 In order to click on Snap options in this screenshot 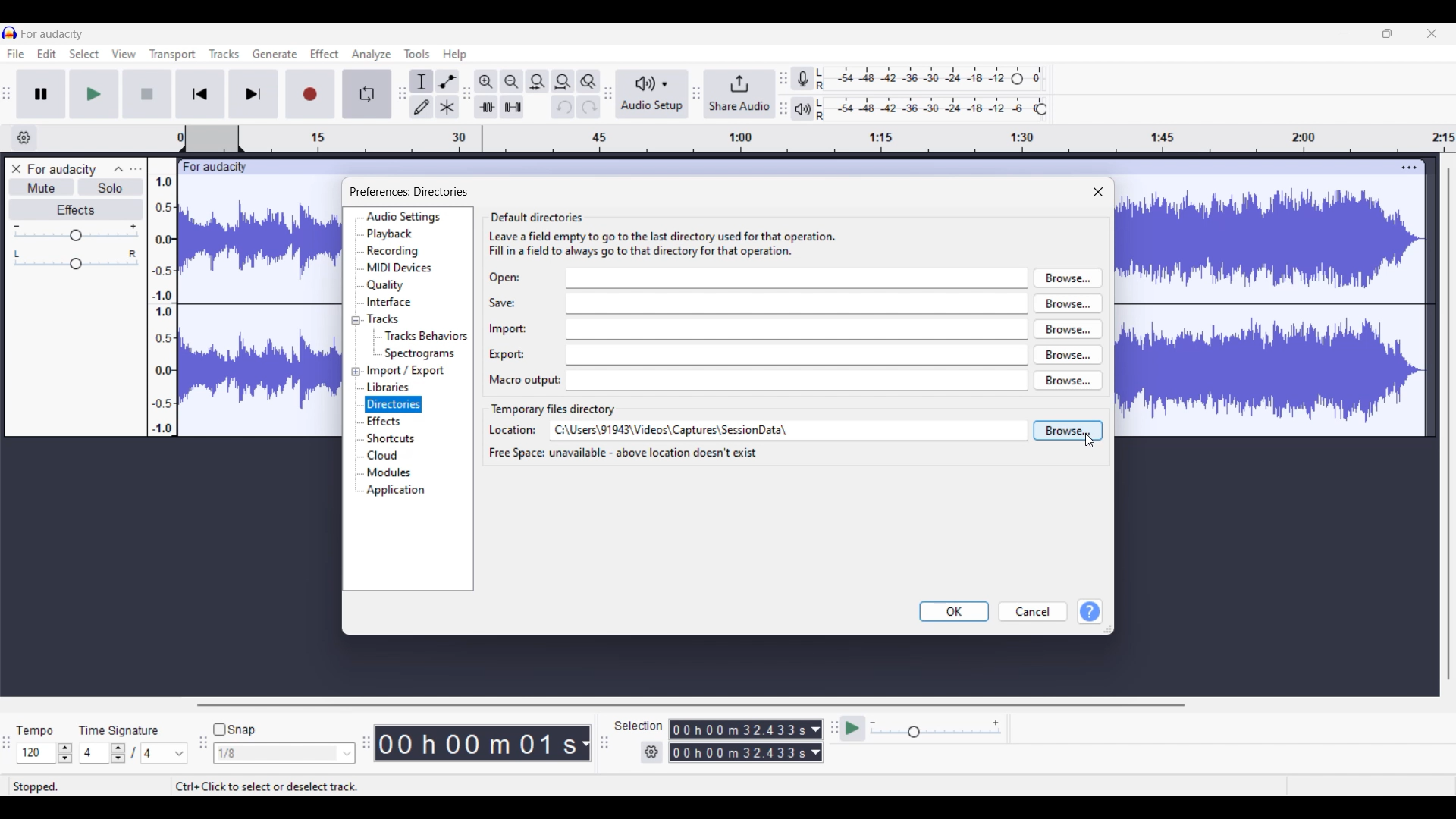, I will do `click(284, 753)`.